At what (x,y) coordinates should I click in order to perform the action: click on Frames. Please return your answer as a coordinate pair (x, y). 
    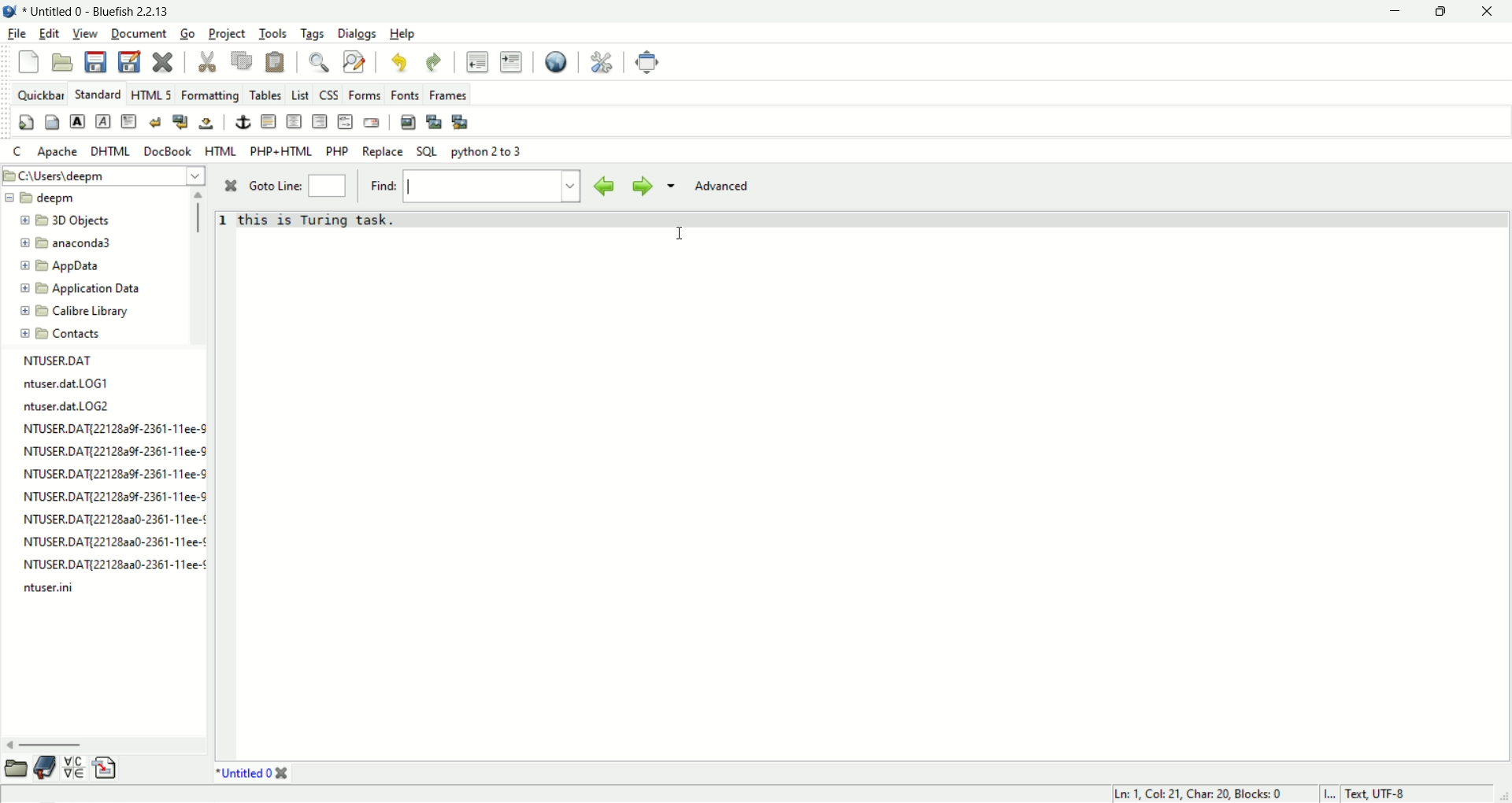
    Looking at the image, I should click on (448, 94).